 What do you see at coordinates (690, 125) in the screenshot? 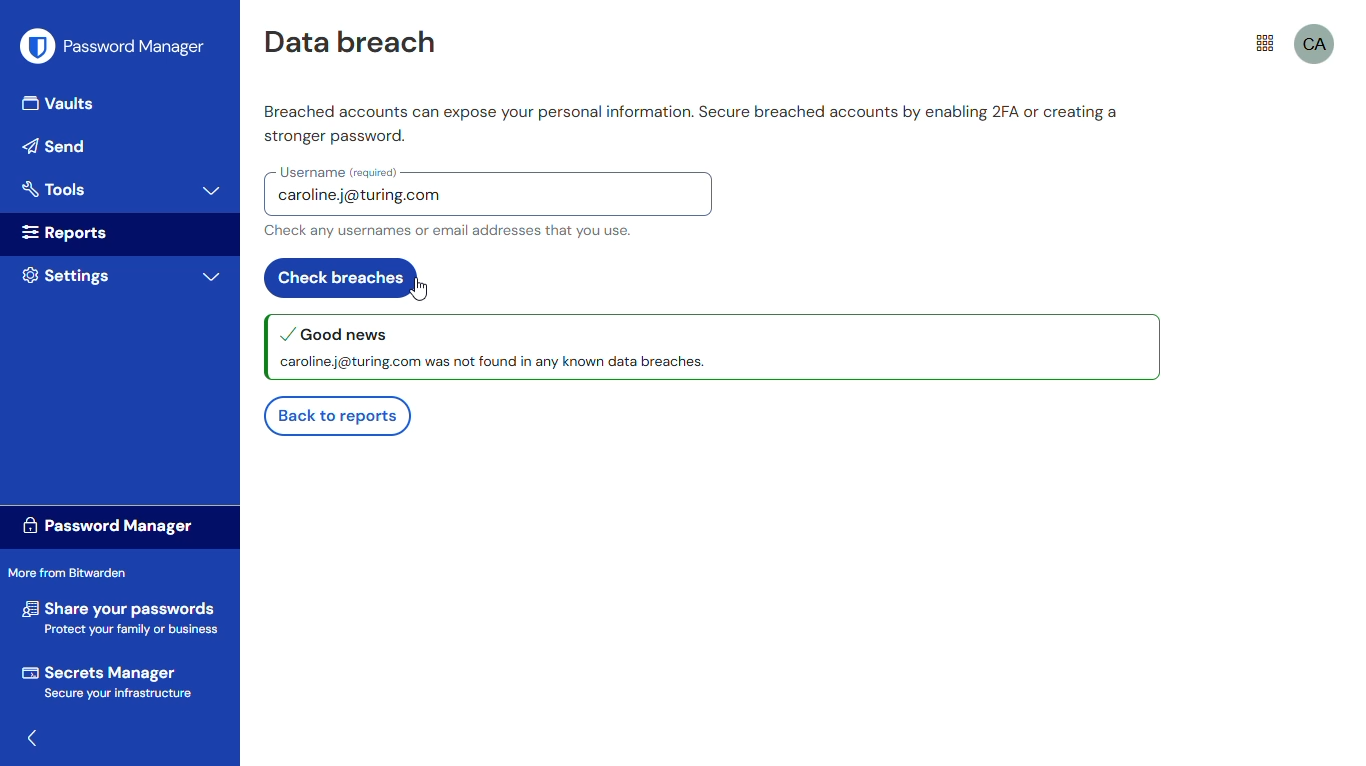
I see `Breached accounts can expose your personal information. Secure breached accounts by enabling 2FA or creating a stronger password.` at bounding box center [690, 125].